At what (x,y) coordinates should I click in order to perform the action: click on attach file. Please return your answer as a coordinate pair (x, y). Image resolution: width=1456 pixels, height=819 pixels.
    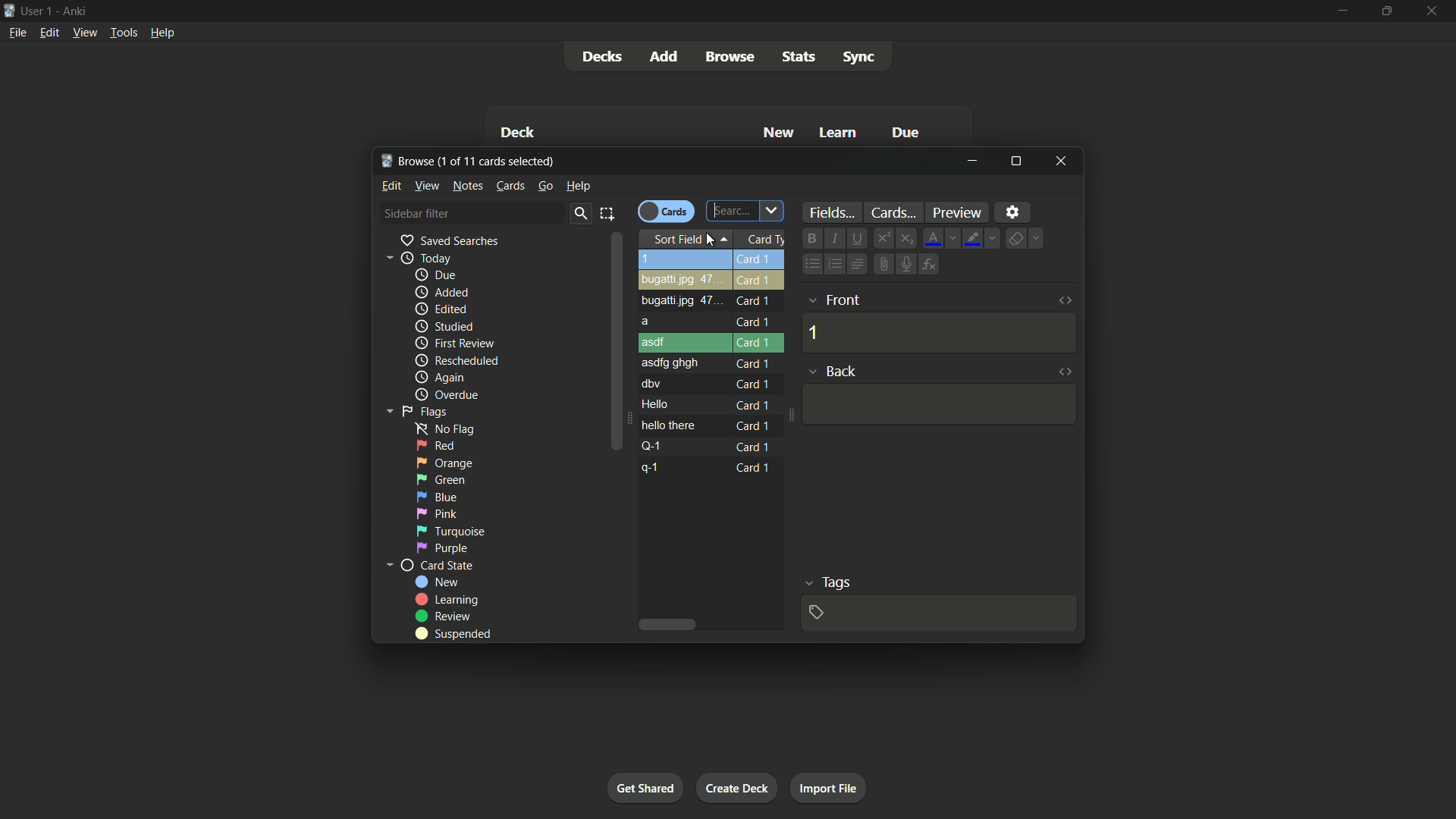
    Looking at the image, I should click on (882, 264).